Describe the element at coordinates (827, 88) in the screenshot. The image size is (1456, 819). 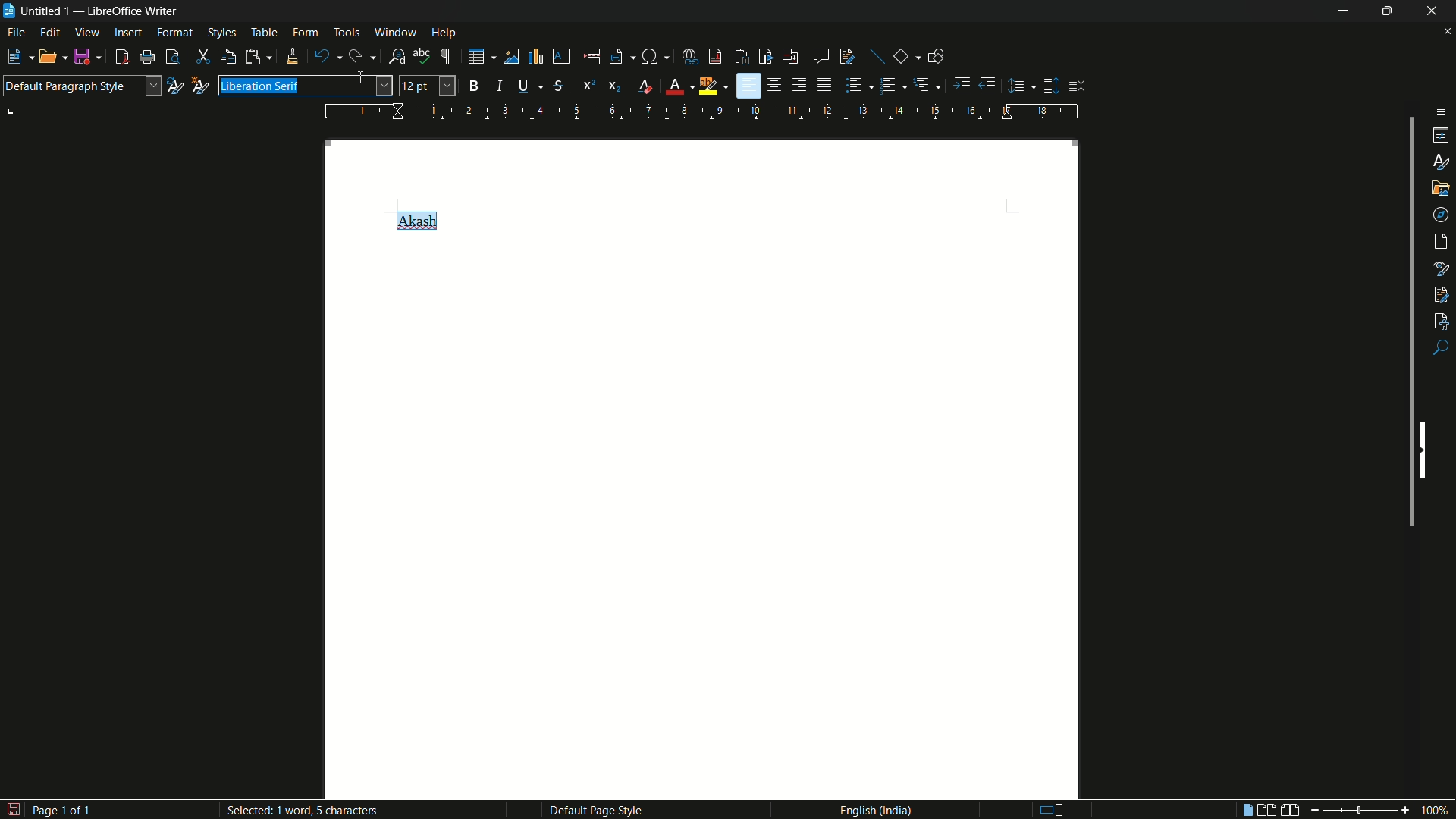
I see `justify` at that location.